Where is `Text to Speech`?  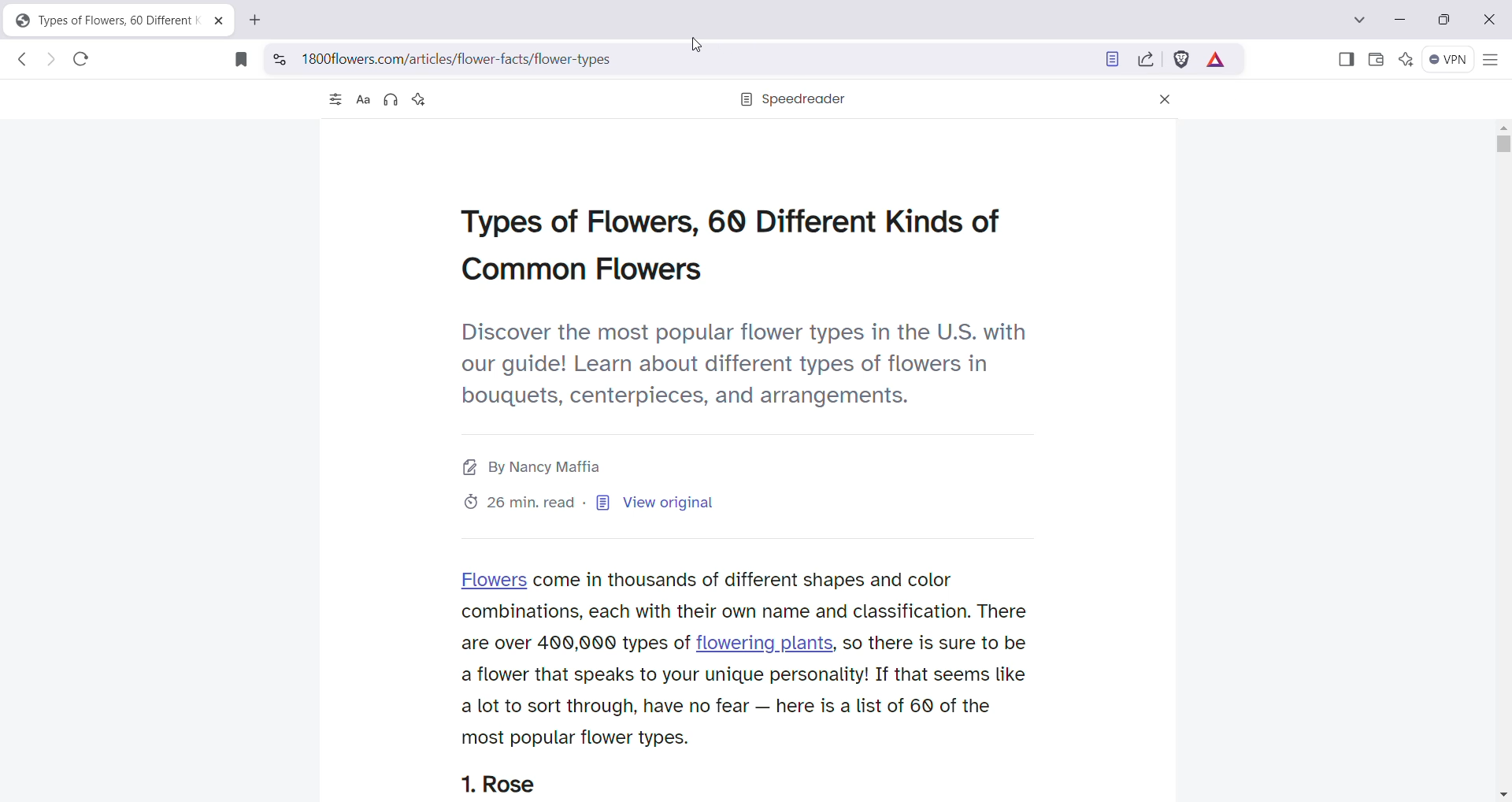
Text to Speech is located at coordinates (391, 101).